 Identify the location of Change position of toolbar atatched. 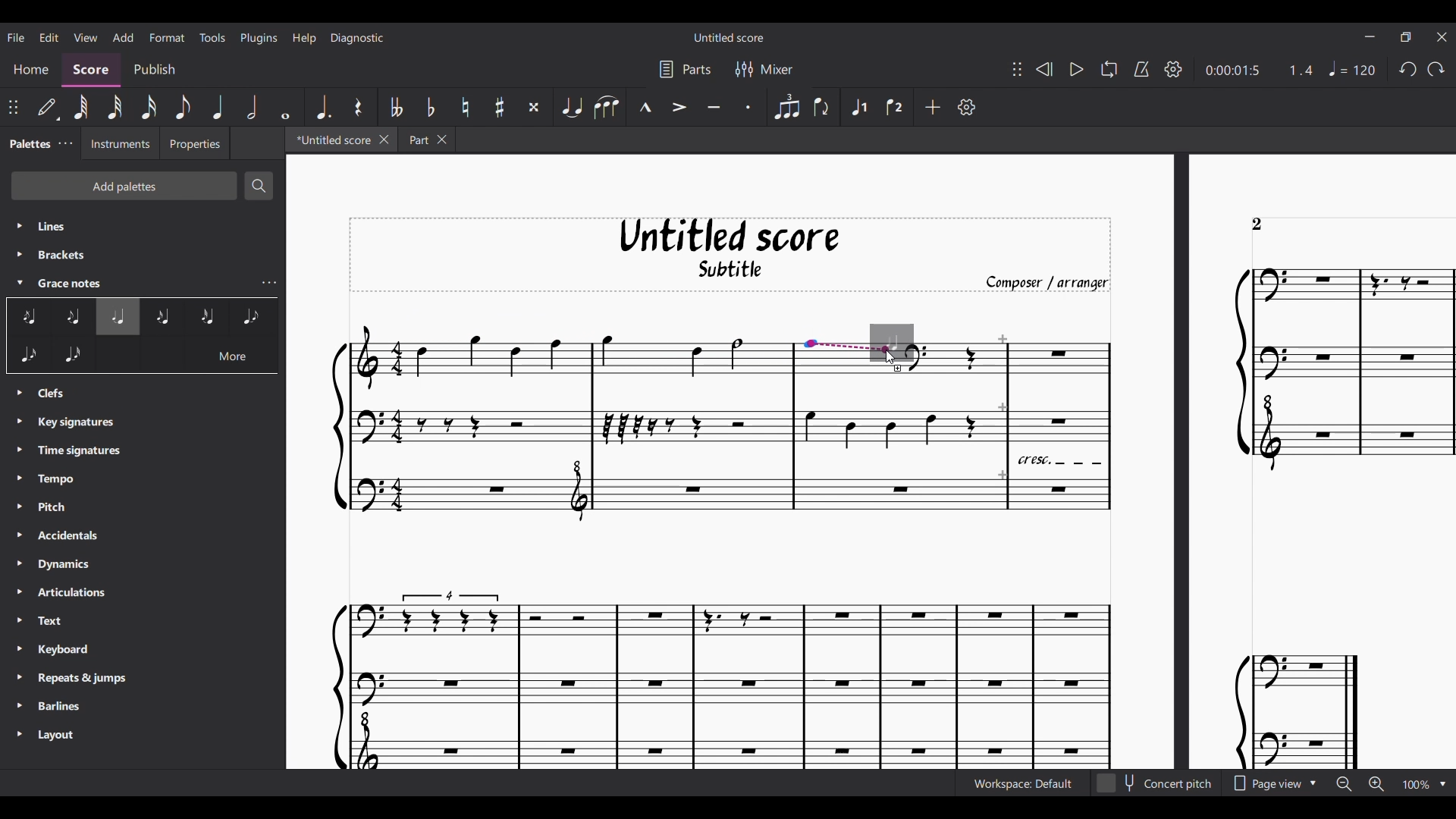
(13, 107).